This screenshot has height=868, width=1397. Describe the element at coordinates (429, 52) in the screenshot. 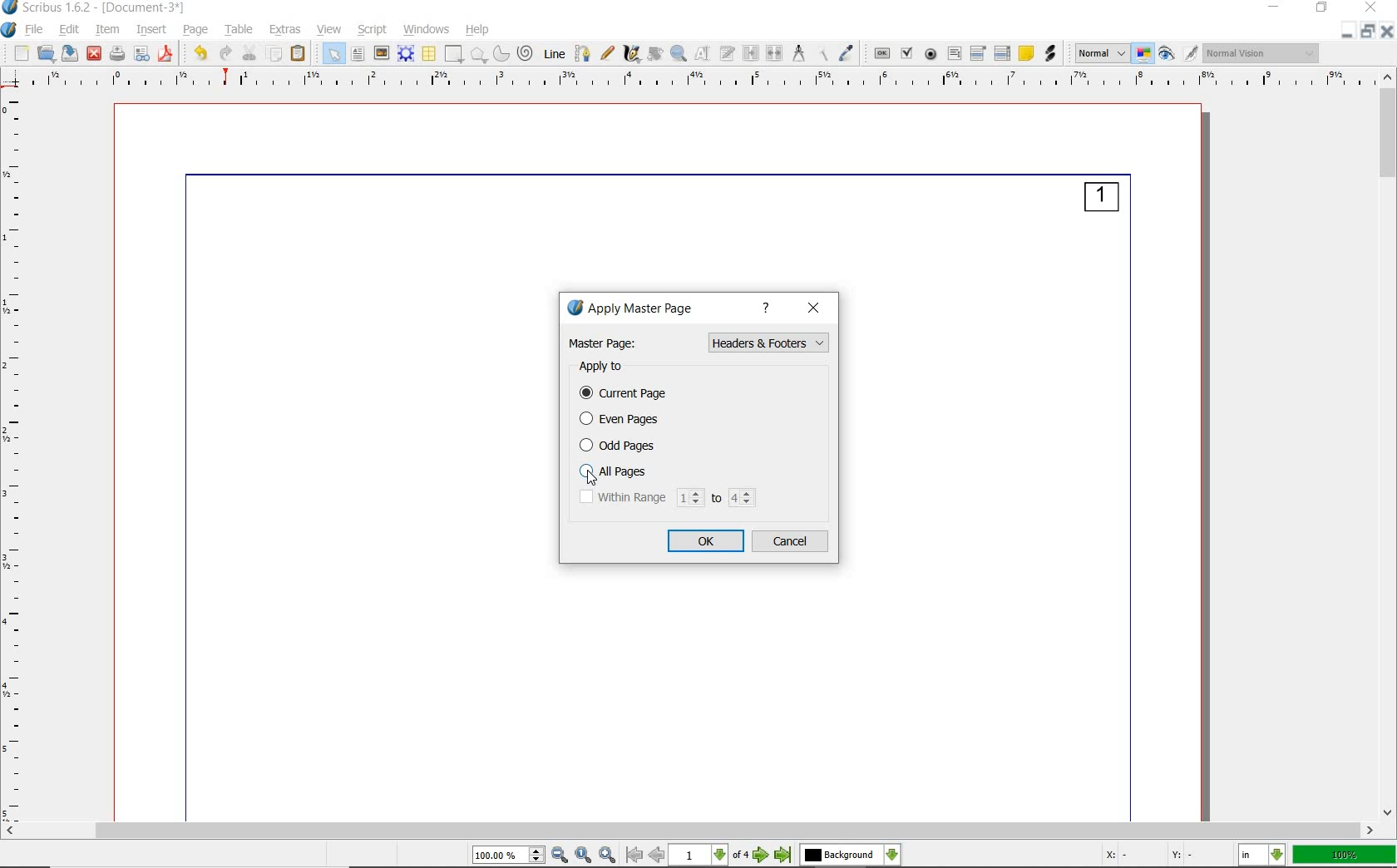

I see `table` at that location.